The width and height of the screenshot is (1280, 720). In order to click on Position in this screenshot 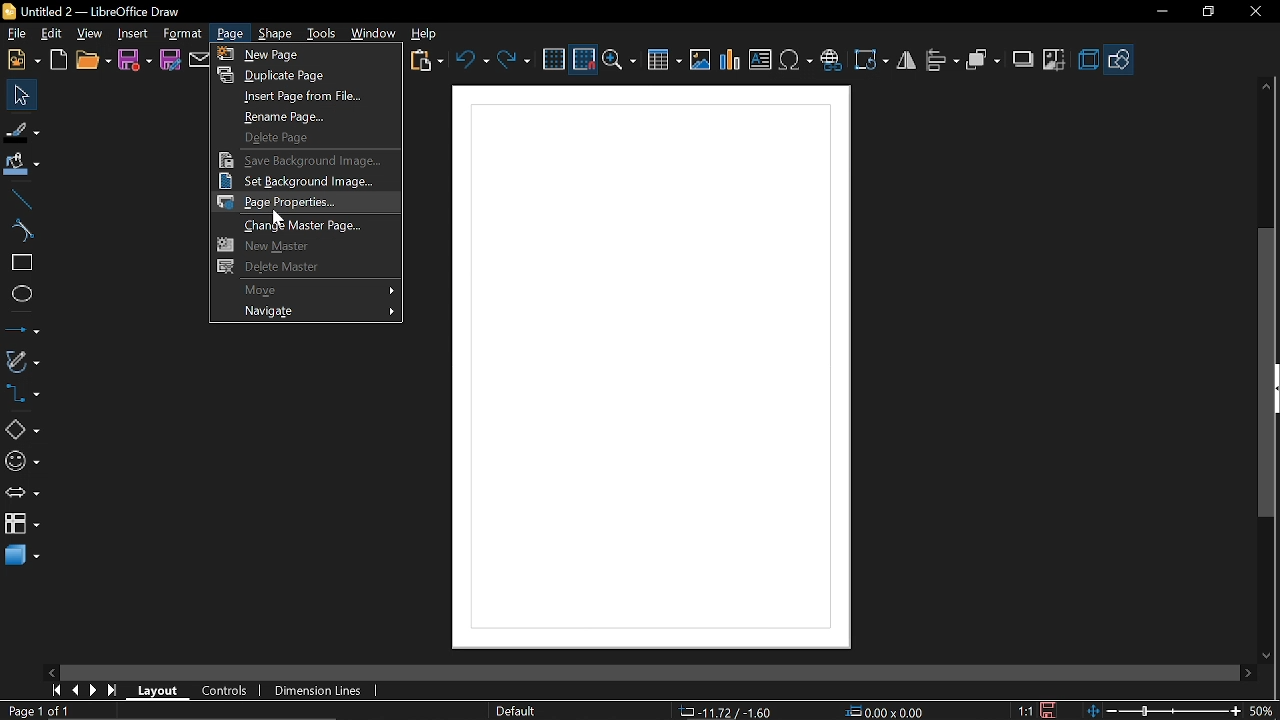, I will do `click(886, 710)`.